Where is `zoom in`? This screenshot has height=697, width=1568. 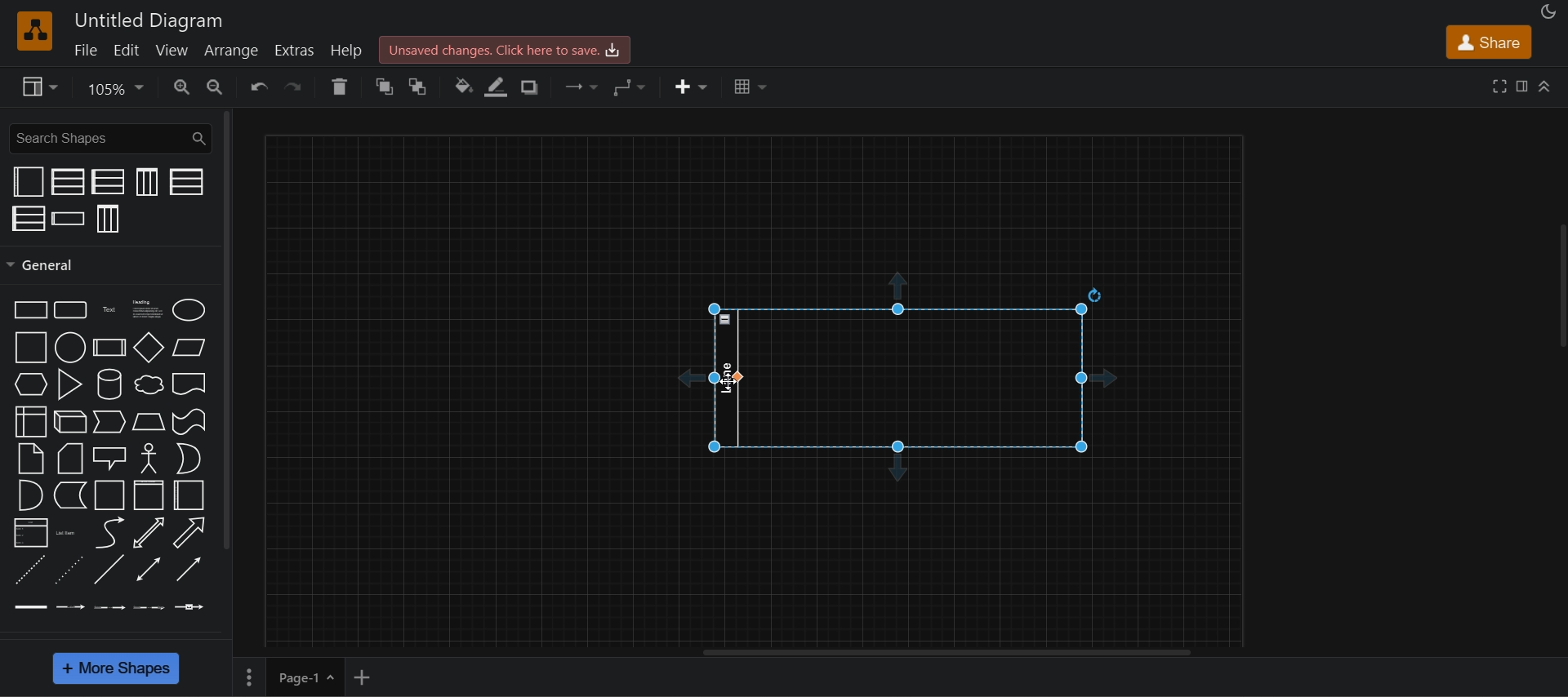
zoom in is located at coordinates (182, 86).